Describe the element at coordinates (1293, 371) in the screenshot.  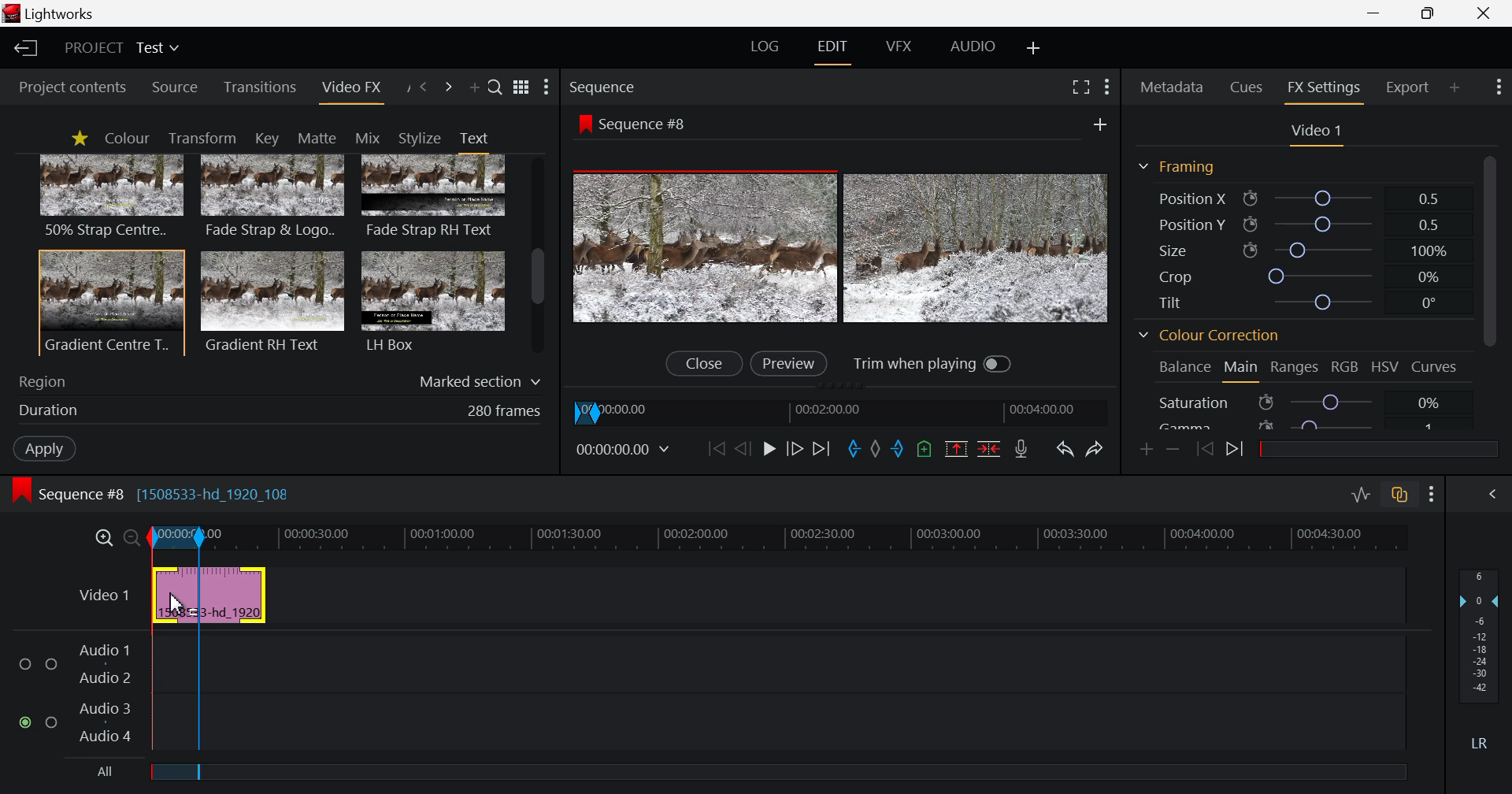
I see `Ranges` at that location.